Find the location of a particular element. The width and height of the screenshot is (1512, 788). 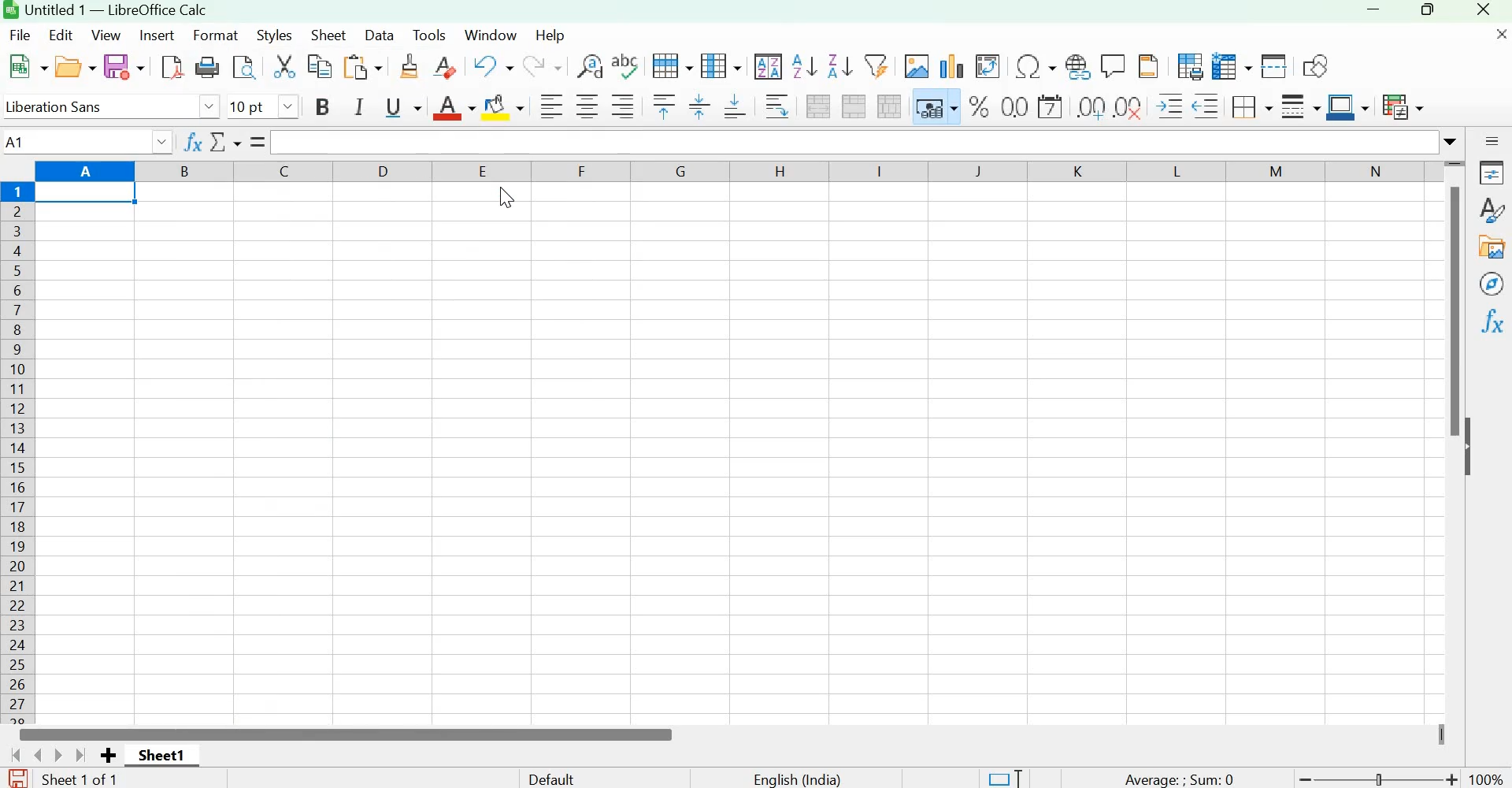

Help is located at coordinates (551, 35).